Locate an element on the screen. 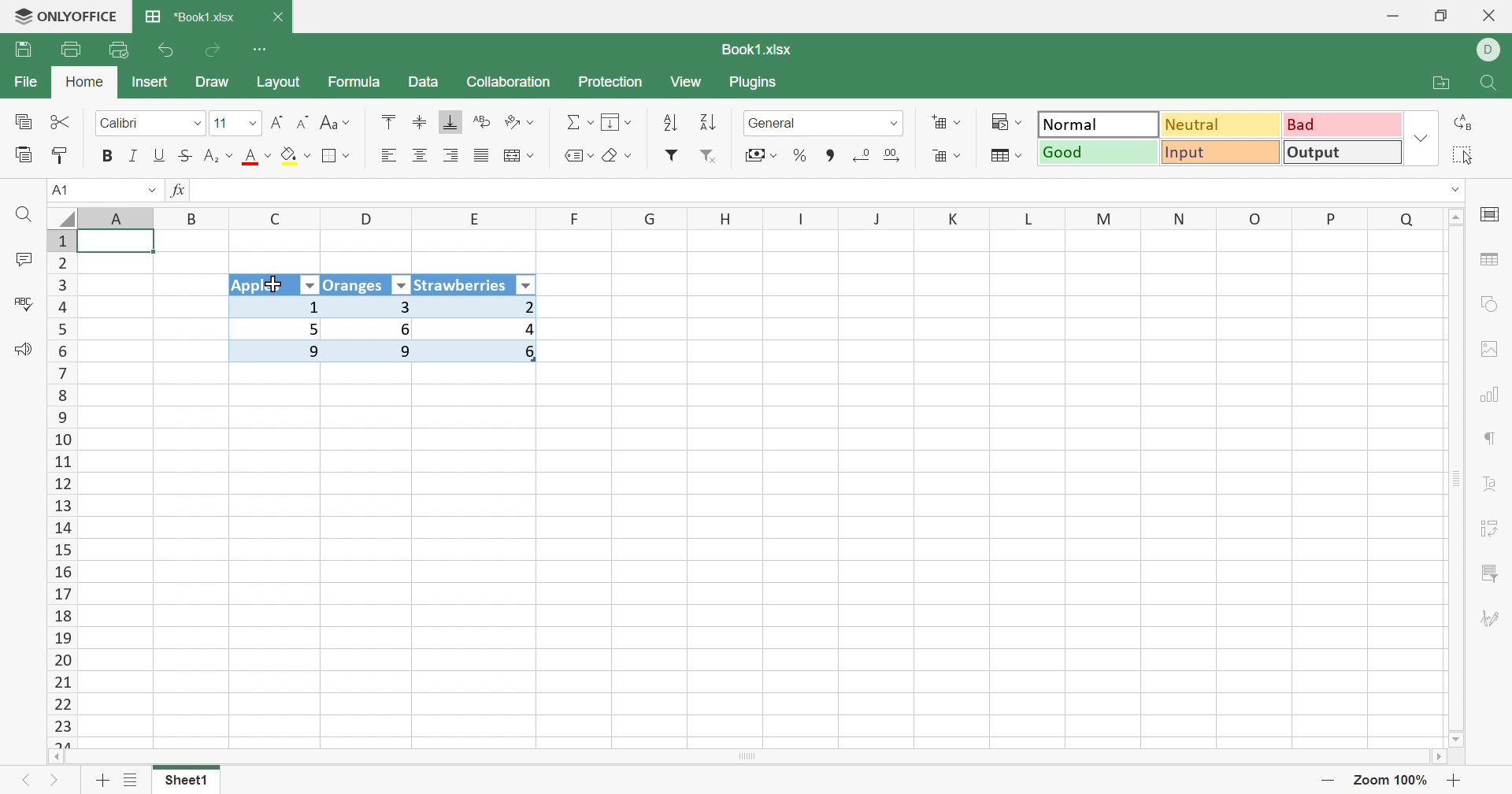  Scroll Down is located at coordinates (1458, 738).